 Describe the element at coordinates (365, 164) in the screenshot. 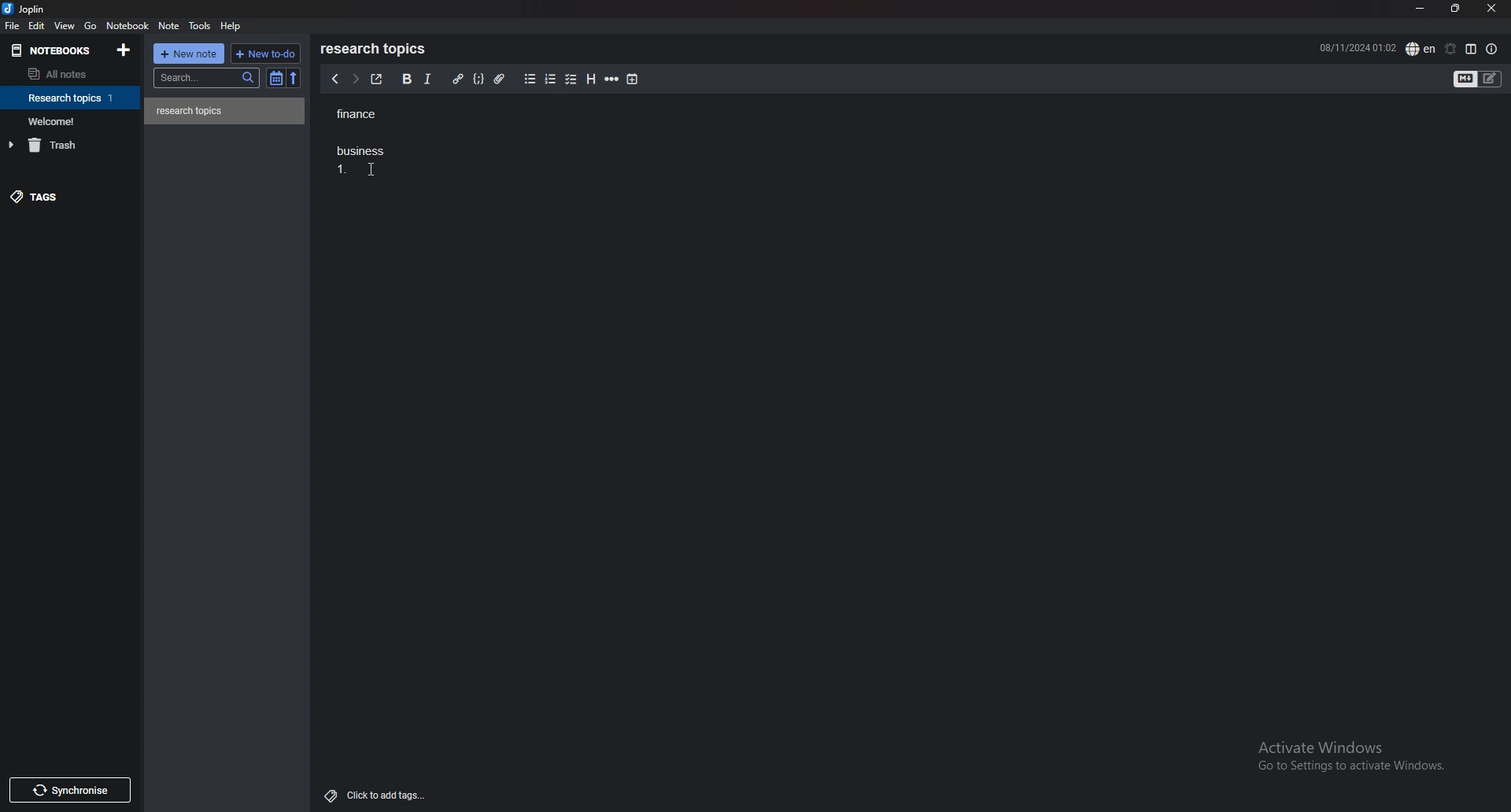

I see `Business 1.` at that location.